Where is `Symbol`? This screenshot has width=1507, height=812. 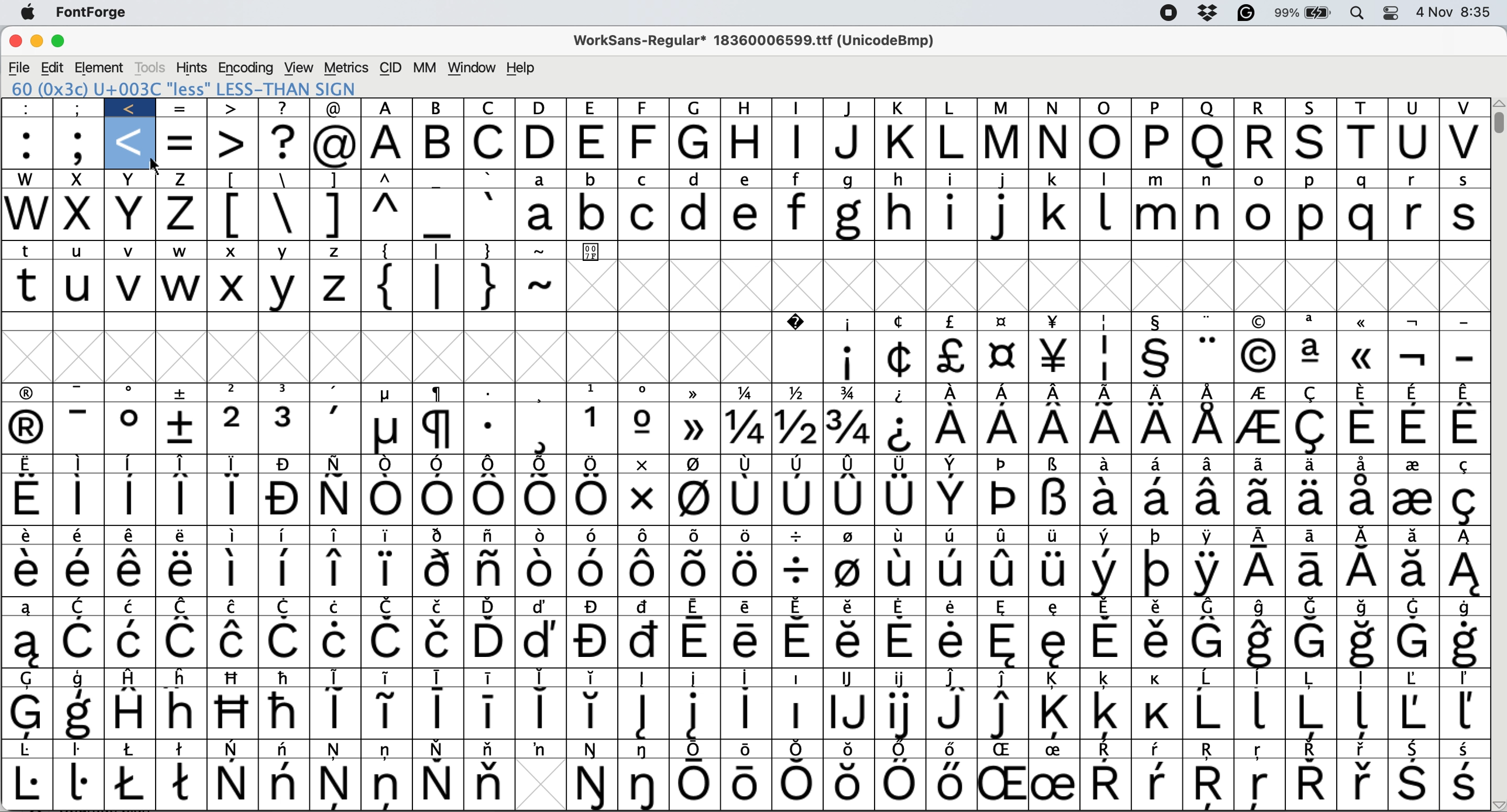
Symbol is located at coordinates (1158, 643).